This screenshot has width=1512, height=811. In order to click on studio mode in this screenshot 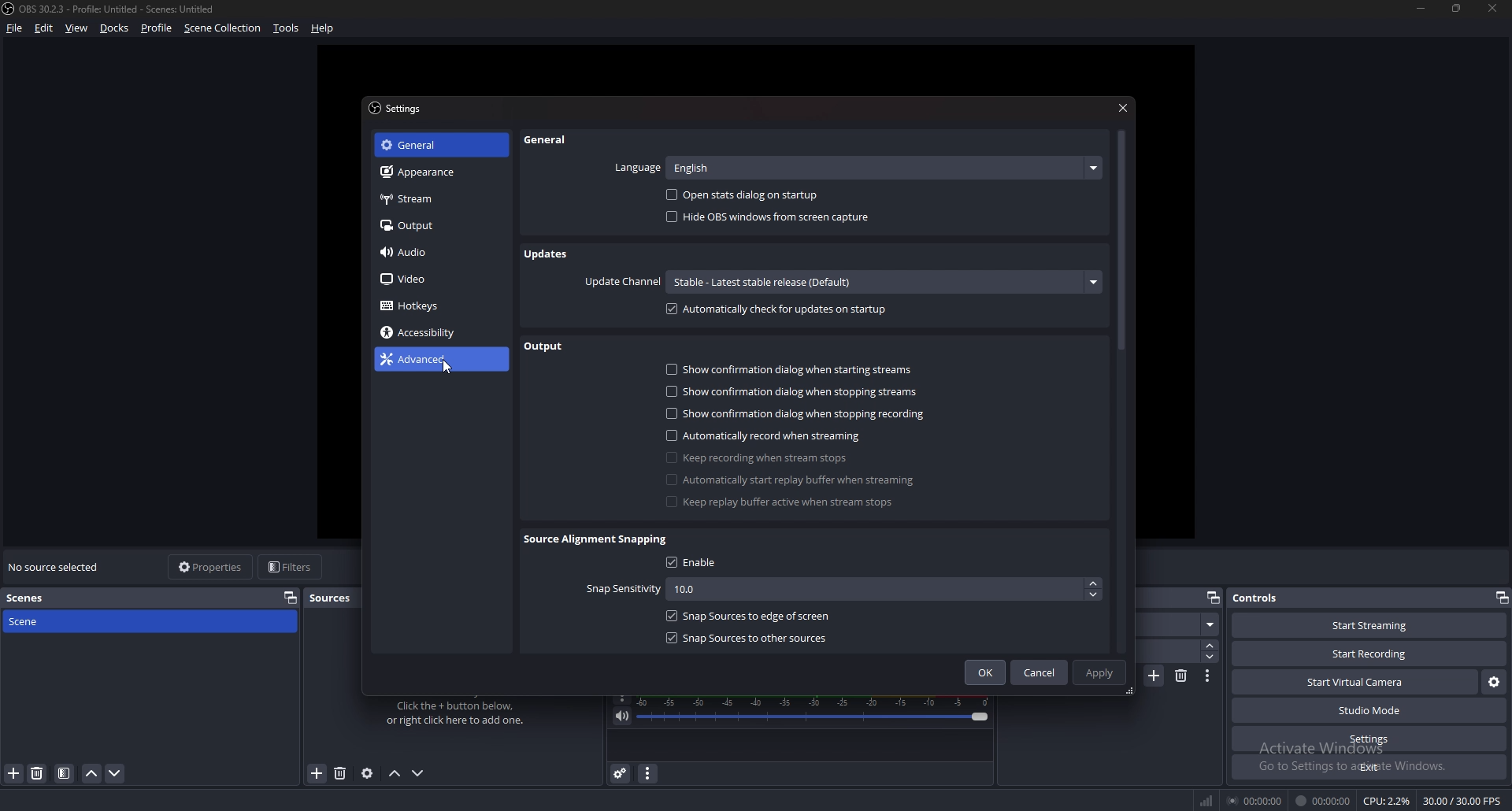, I will do `click(1370, 711)`.